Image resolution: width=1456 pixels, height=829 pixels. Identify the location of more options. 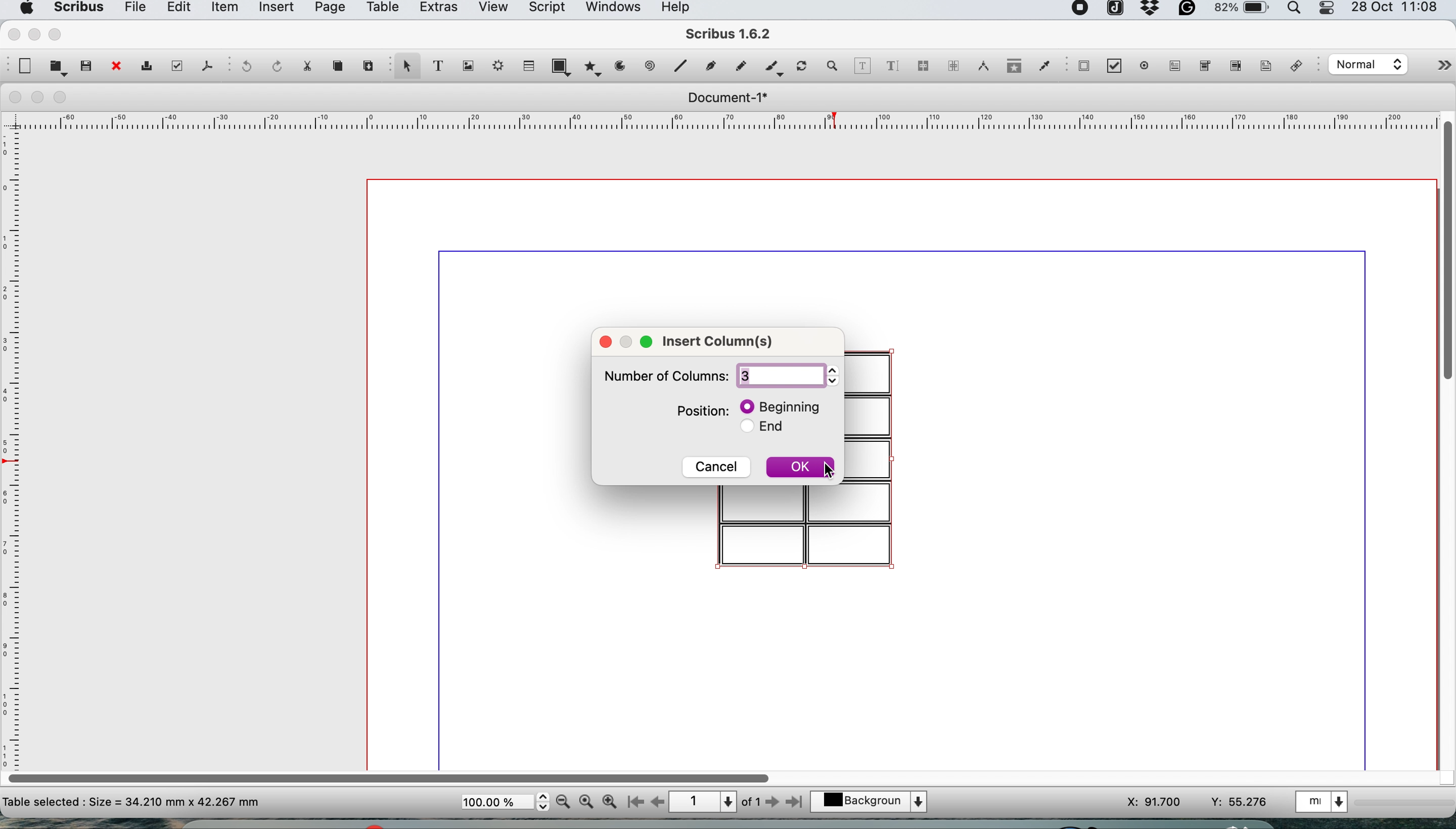
(1432, 68).